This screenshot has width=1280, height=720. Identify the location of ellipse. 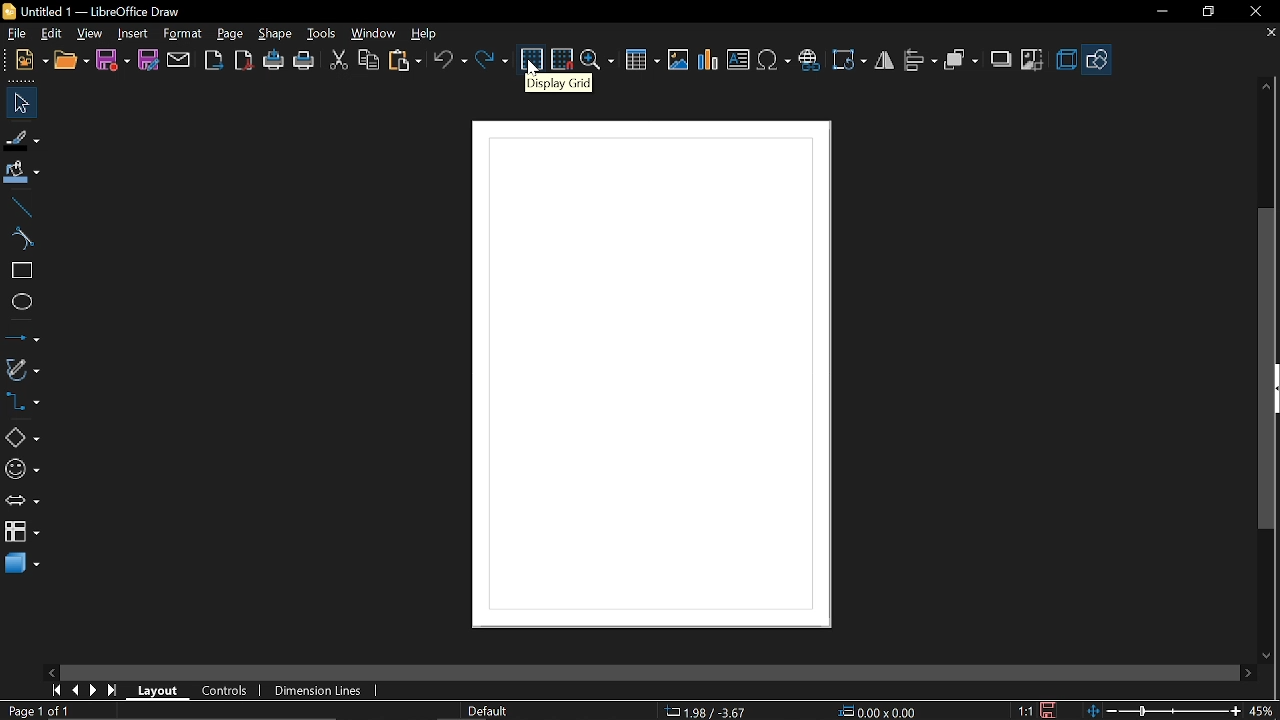
(19, 302).